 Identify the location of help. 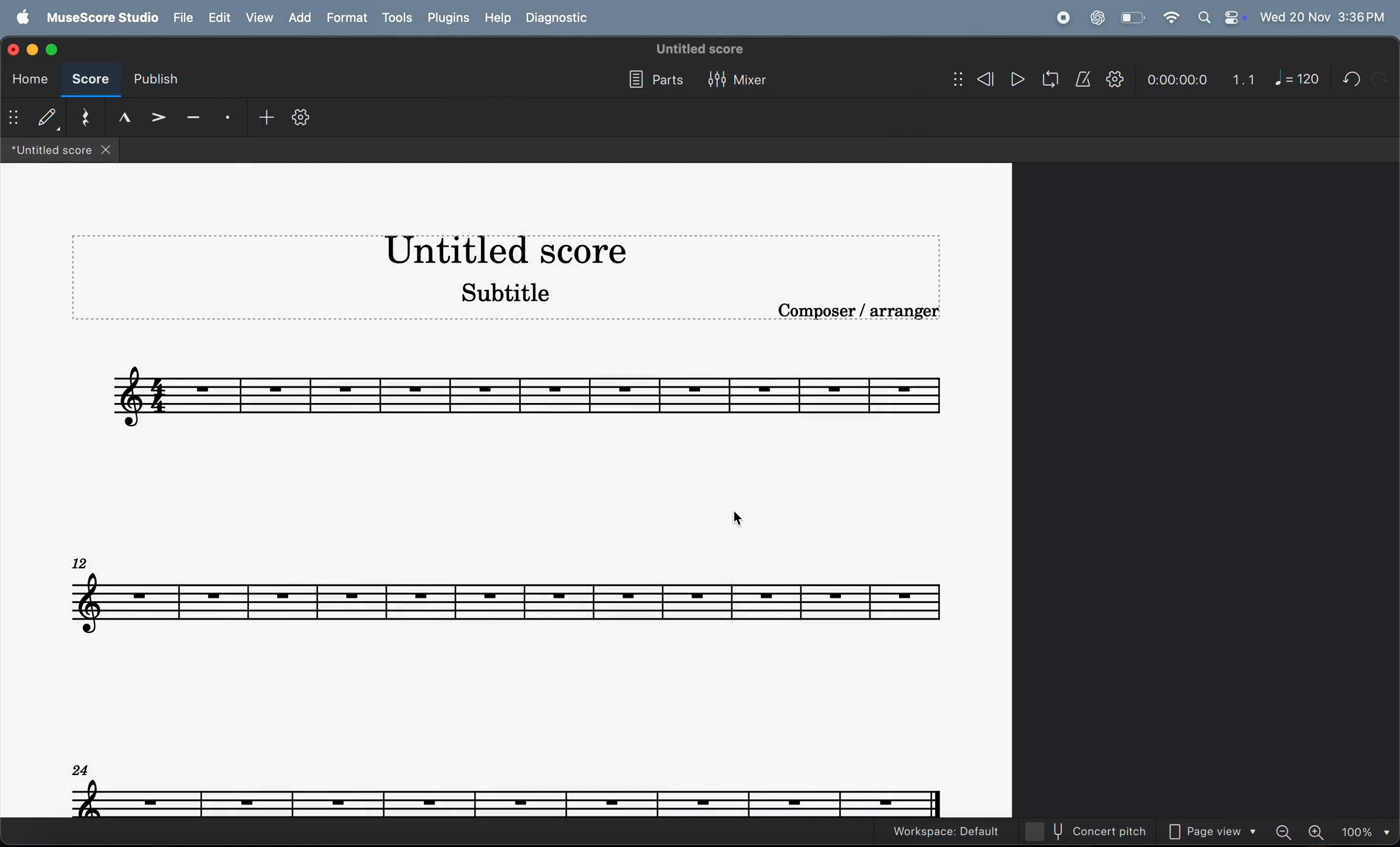
(495, 18).